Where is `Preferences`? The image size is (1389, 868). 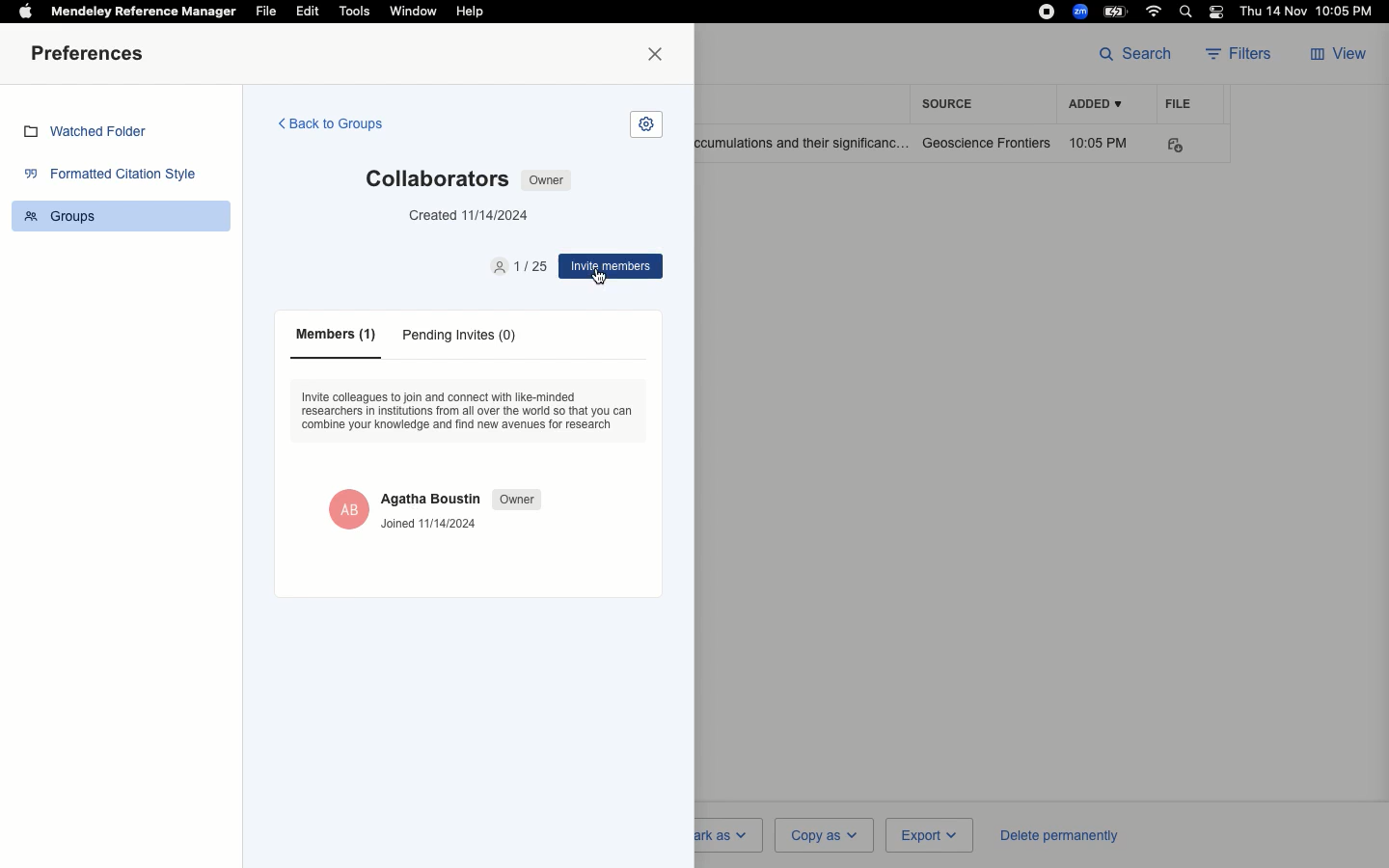 Preferences is located at coordinates (92, 55).